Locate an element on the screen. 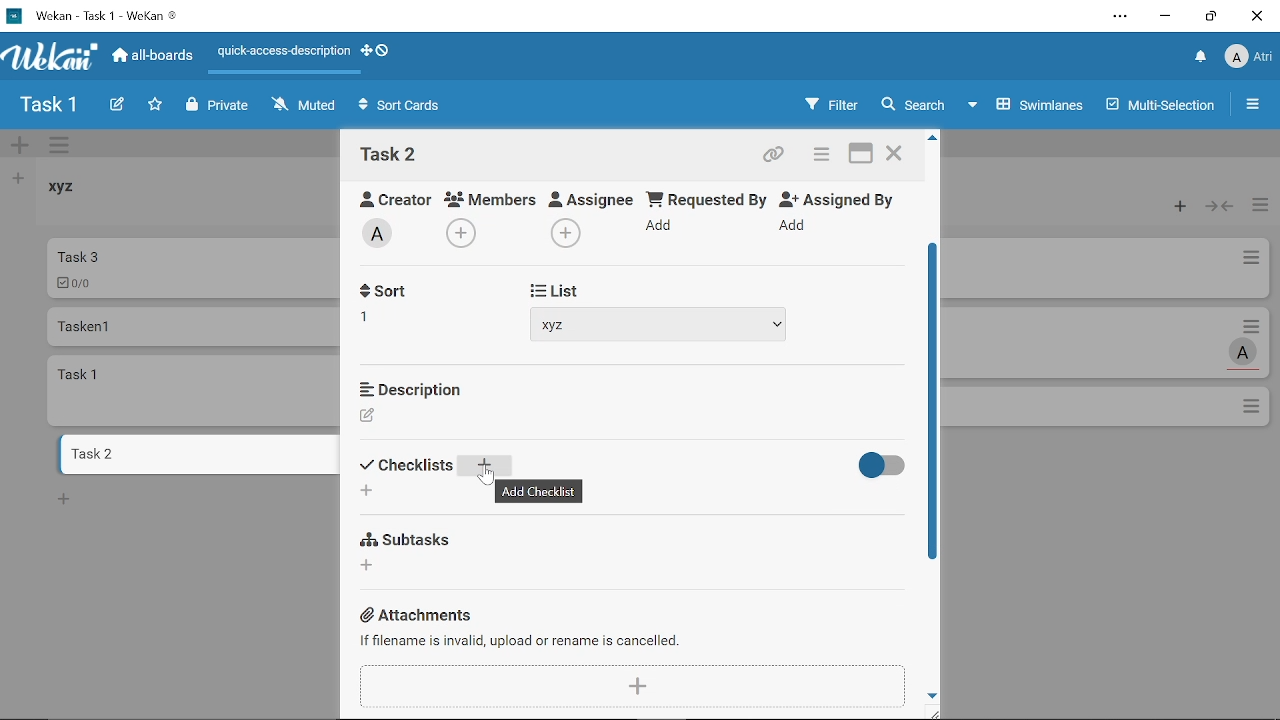 This screenshot has height=720, width=1280. Card named "task 2" is located at coordinates (196, 454).